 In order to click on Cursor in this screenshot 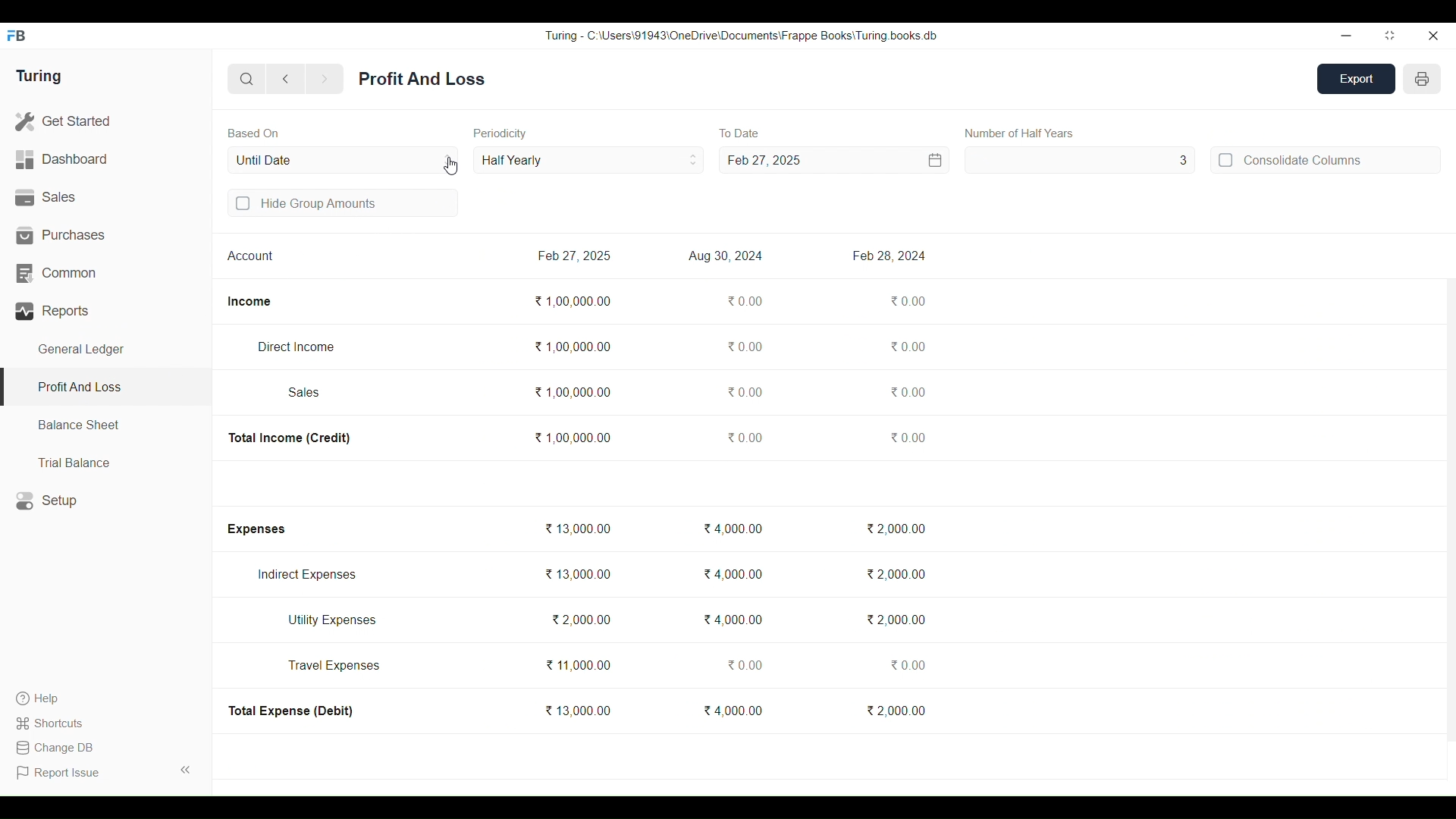, I will do `click(451, 166)`.